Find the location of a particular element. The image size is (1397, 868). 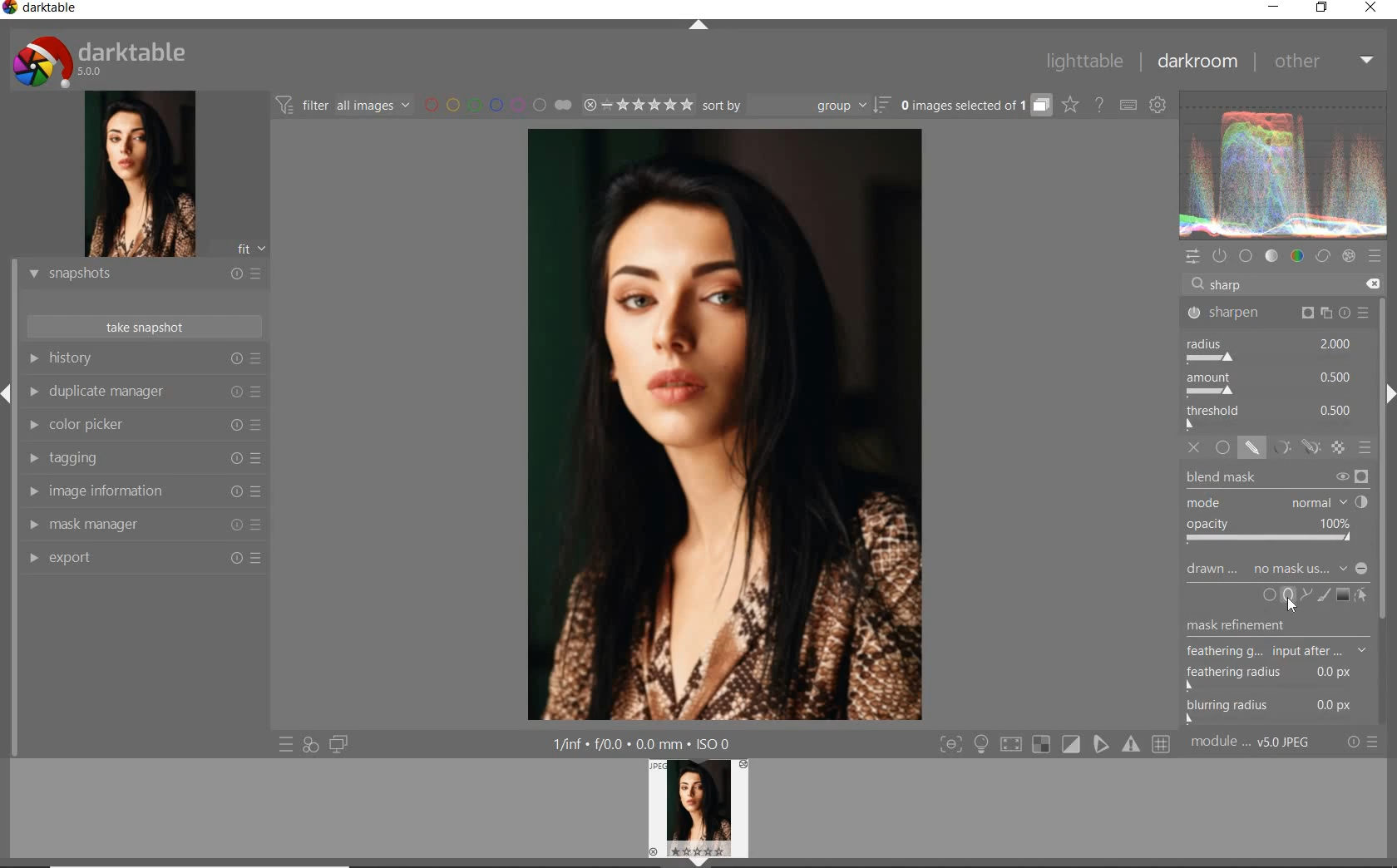

enable online help is located at coordinates (1099, 106).